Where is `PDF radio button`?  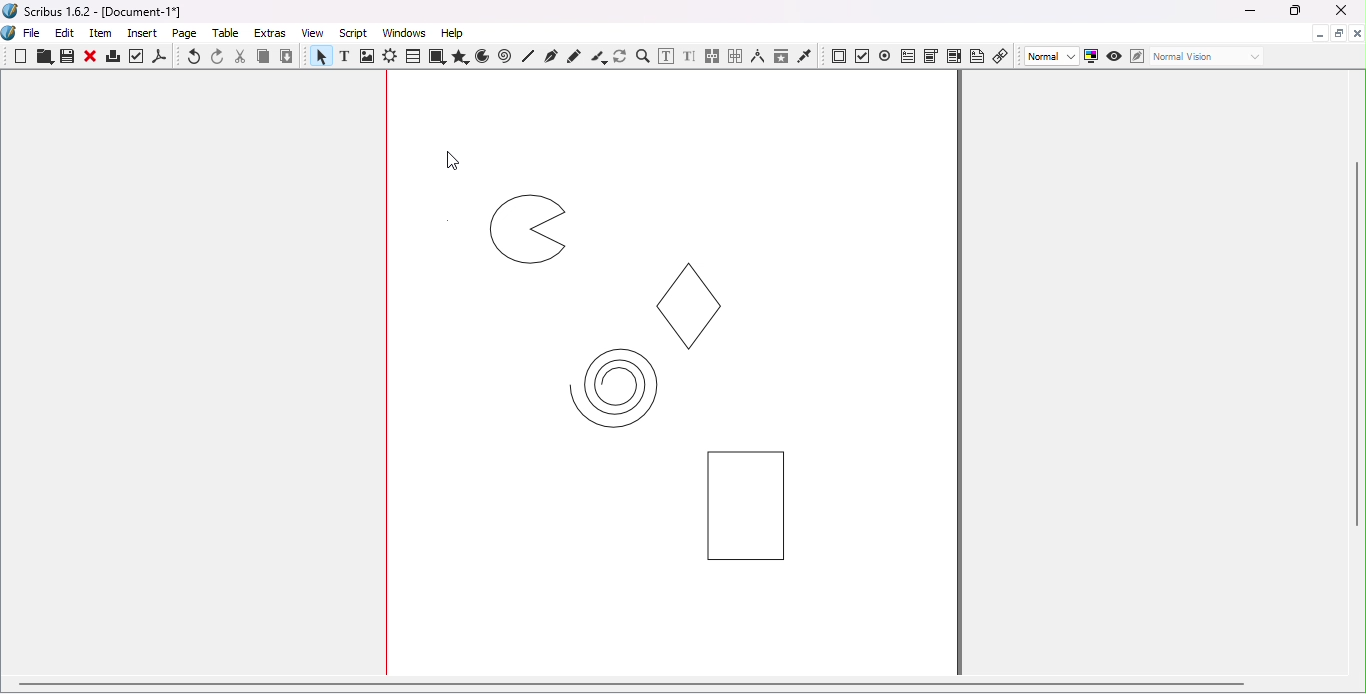 PDF radio button is located at coordinates (885, 55).